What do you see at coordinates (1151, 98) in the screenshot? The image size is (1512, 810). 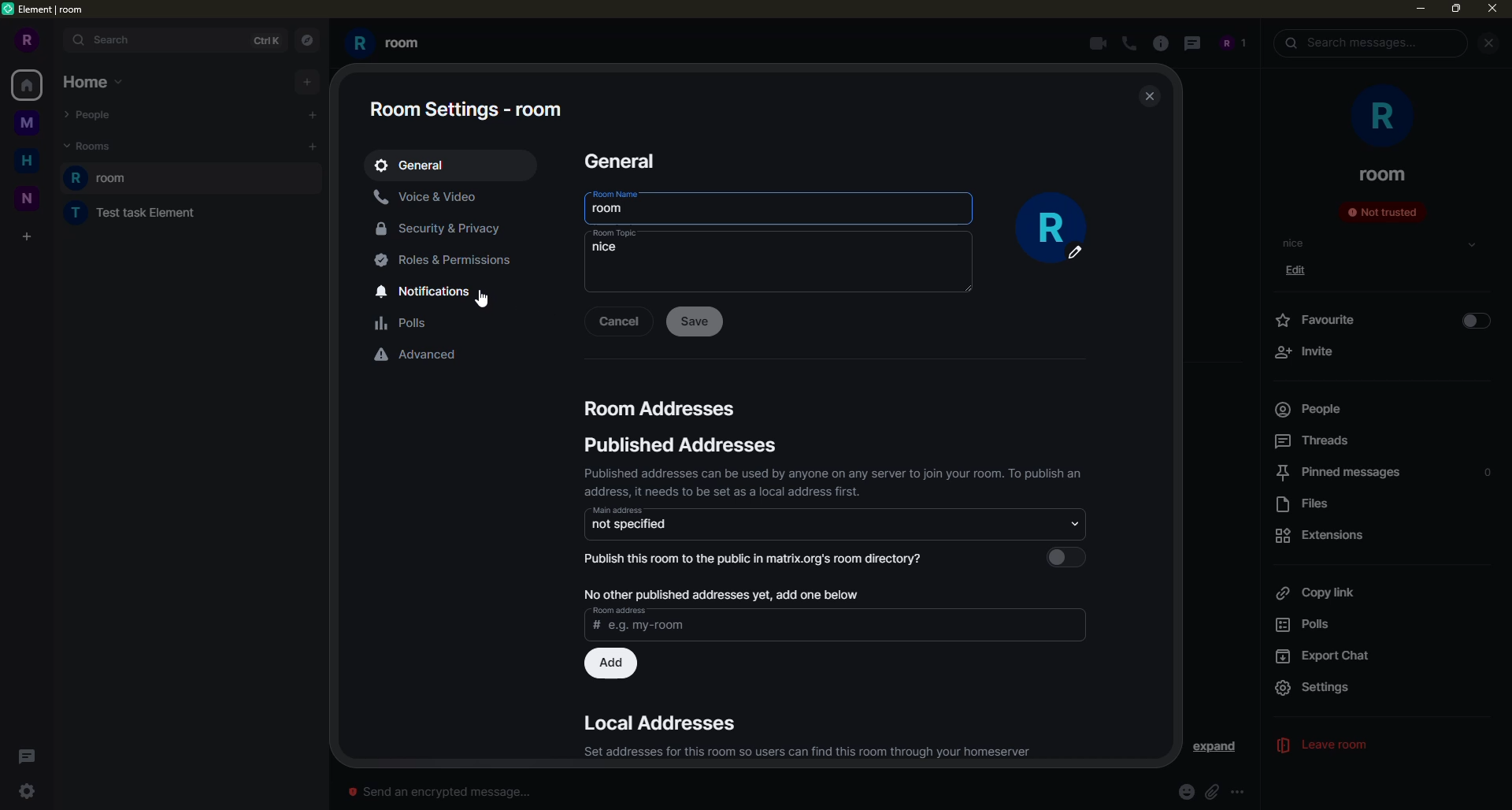 I see `close` at bounding box center [1151, 98].